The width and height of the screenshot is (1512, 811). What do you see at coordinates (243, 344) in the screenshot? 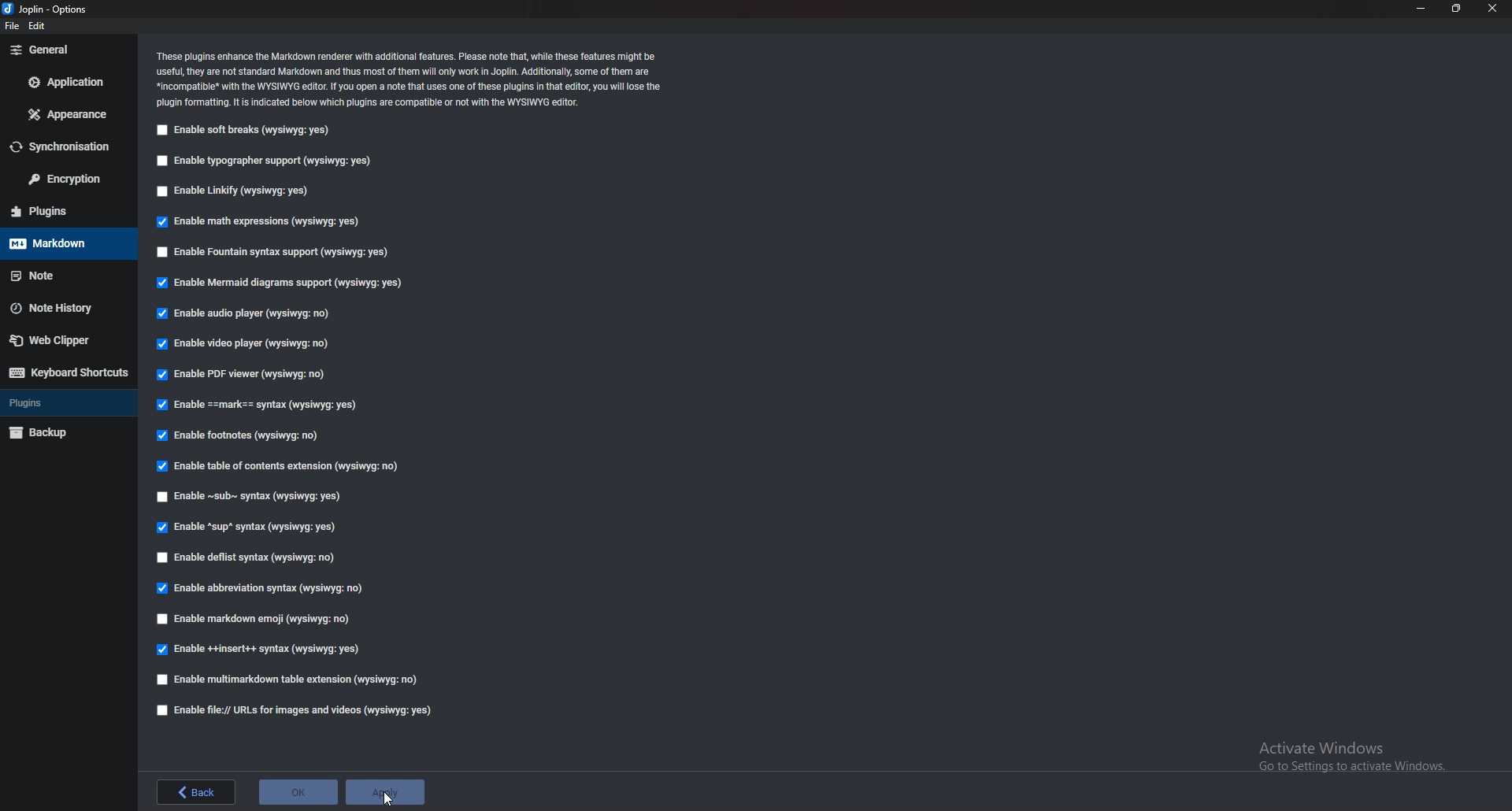
I see `enable video player` at bounding box center [243, 344].